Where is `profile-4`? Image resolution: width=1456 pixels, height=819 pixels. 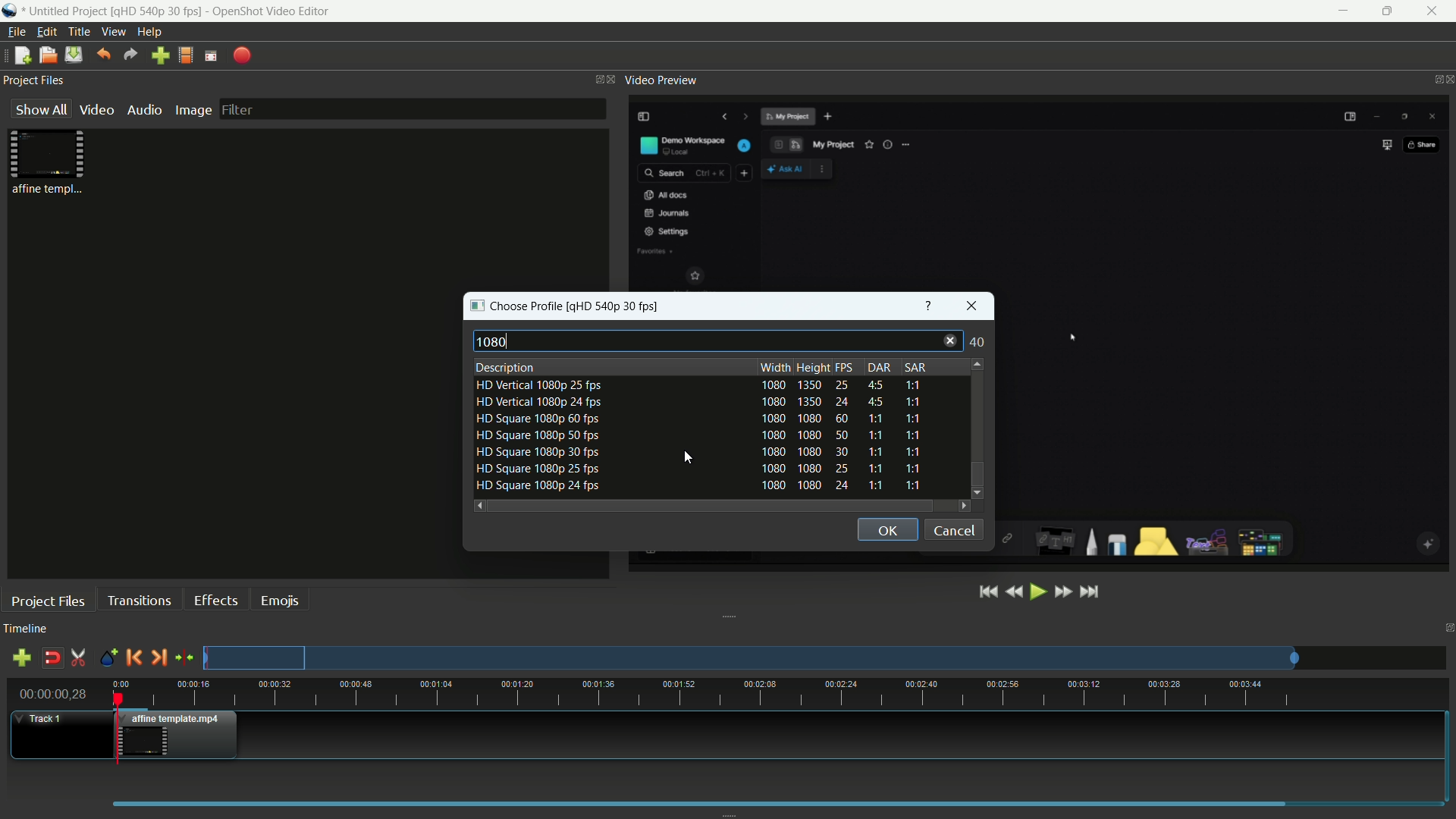
profile-4 is located at coordinates (697, 437).